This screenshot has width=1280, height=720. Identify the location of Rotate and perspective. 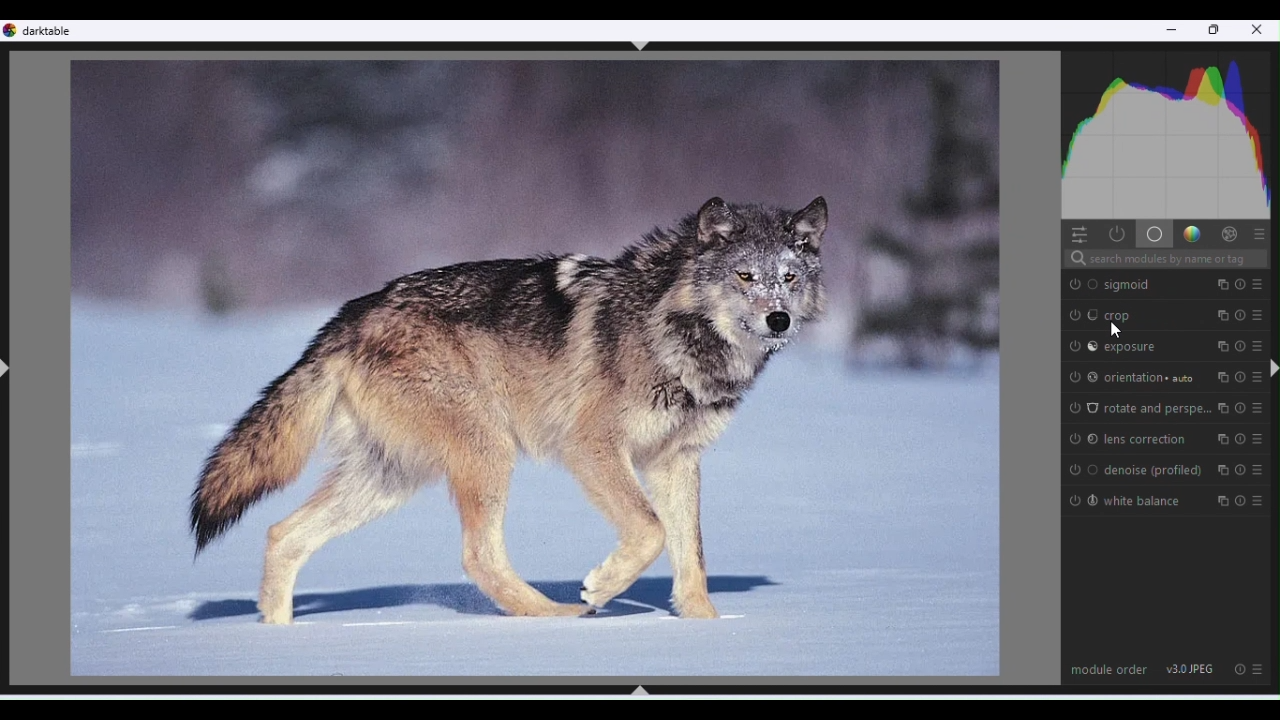
(1166, 408).